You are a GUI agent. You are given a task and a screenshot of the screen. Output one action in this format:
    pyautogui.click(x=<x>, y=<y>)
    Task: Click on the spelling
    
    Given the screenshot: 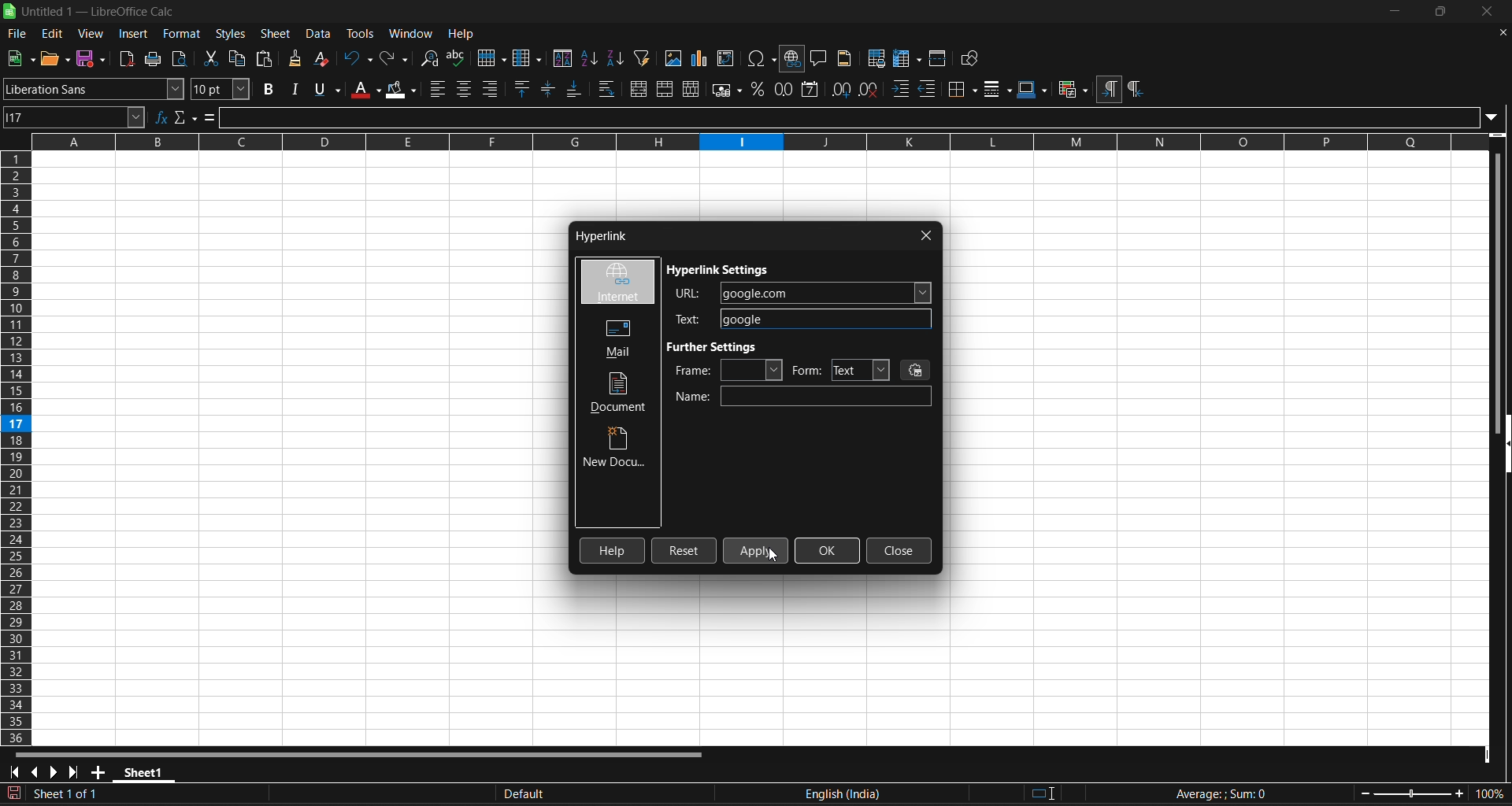 What is the action you would take?
    pyautogui.click(x=458, y=58)
    